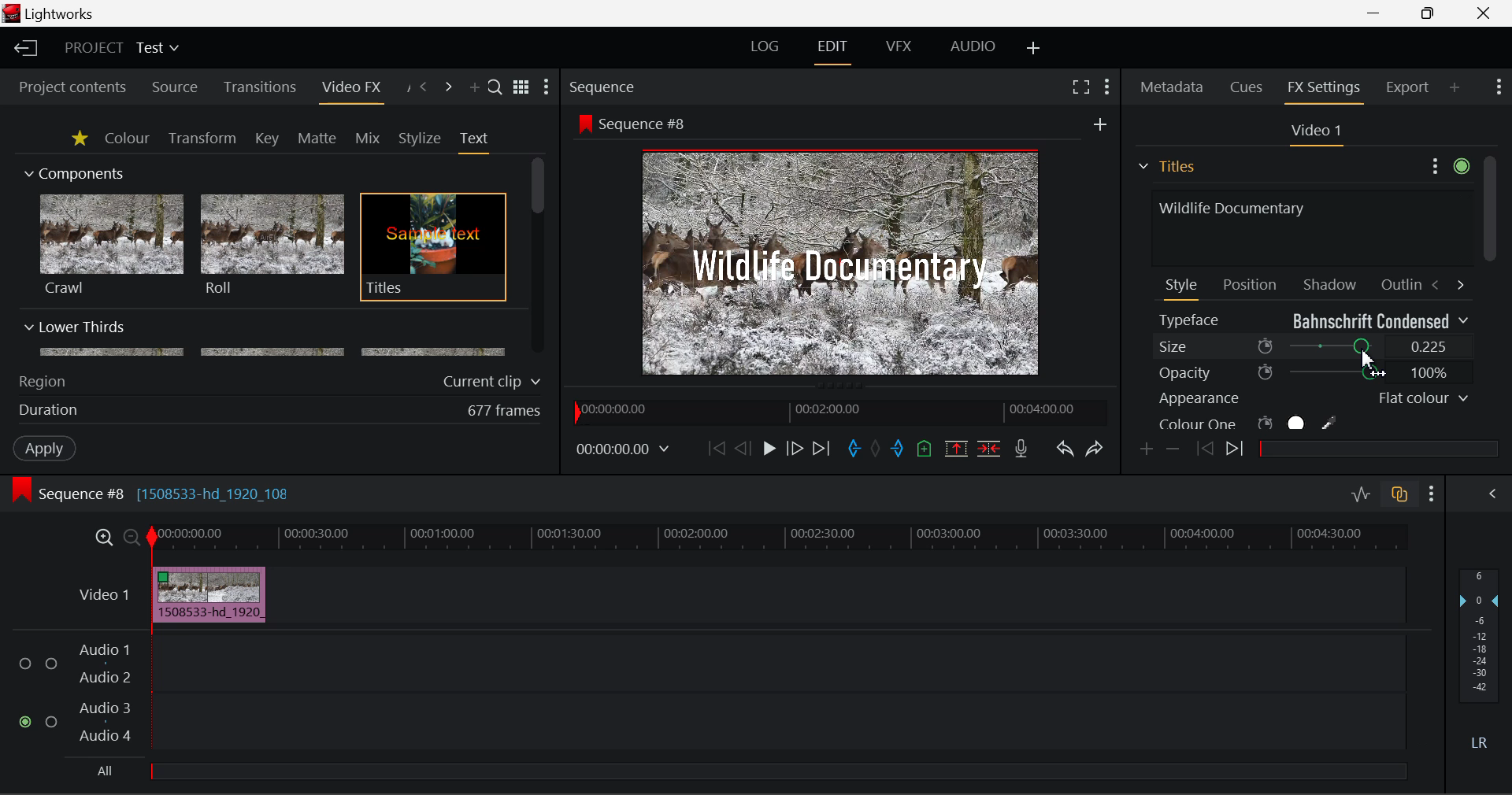  What do you see at coordinates (1480, 663) in the screenshot?
I see `Decibel Level` at bounding box center [1480, 663].